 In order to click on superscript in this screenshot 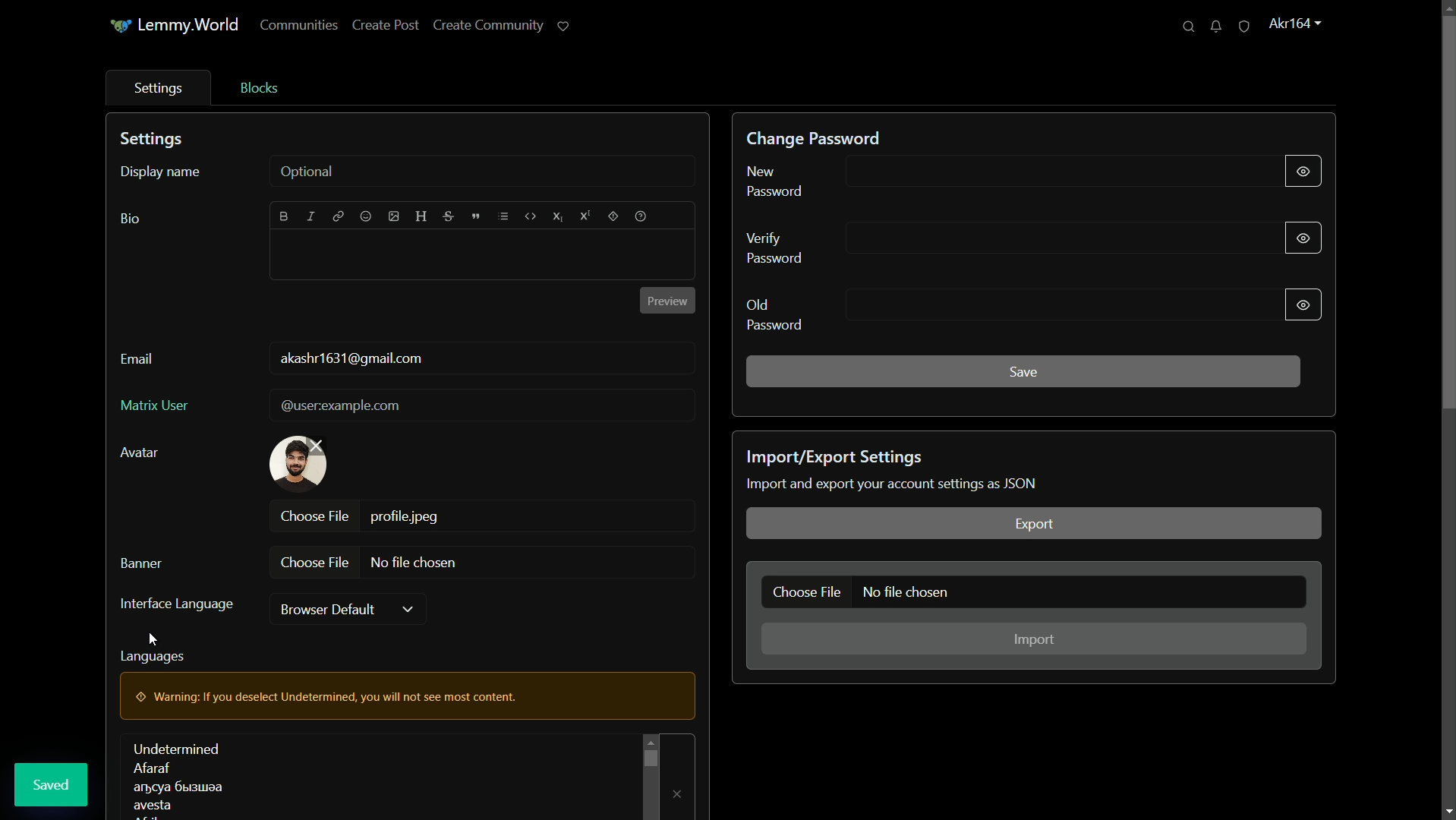, I will do `click(585, 216)`.